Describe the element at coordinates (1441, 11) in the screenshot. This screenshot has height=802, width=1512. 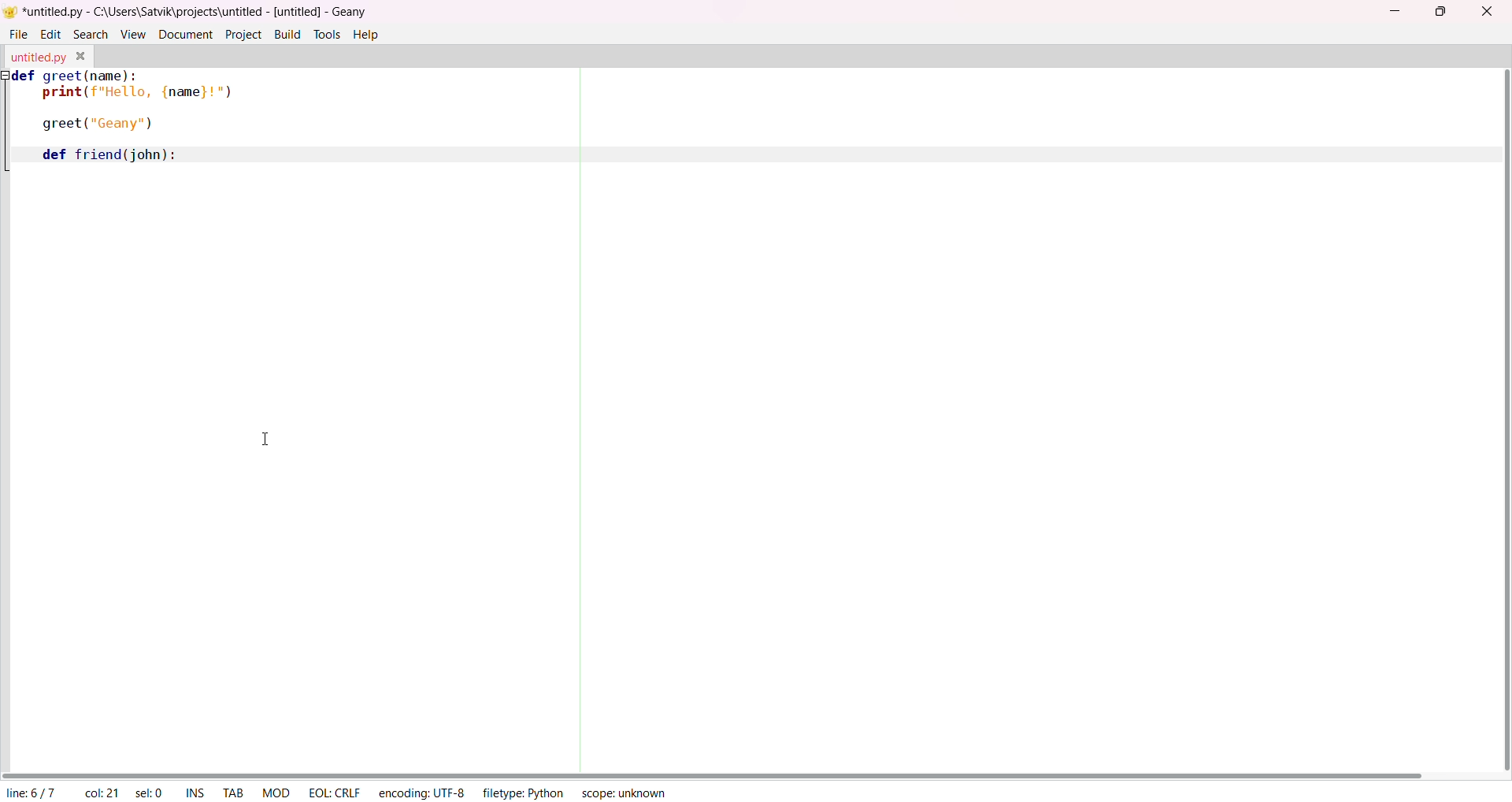
I see `maximize` at that location.